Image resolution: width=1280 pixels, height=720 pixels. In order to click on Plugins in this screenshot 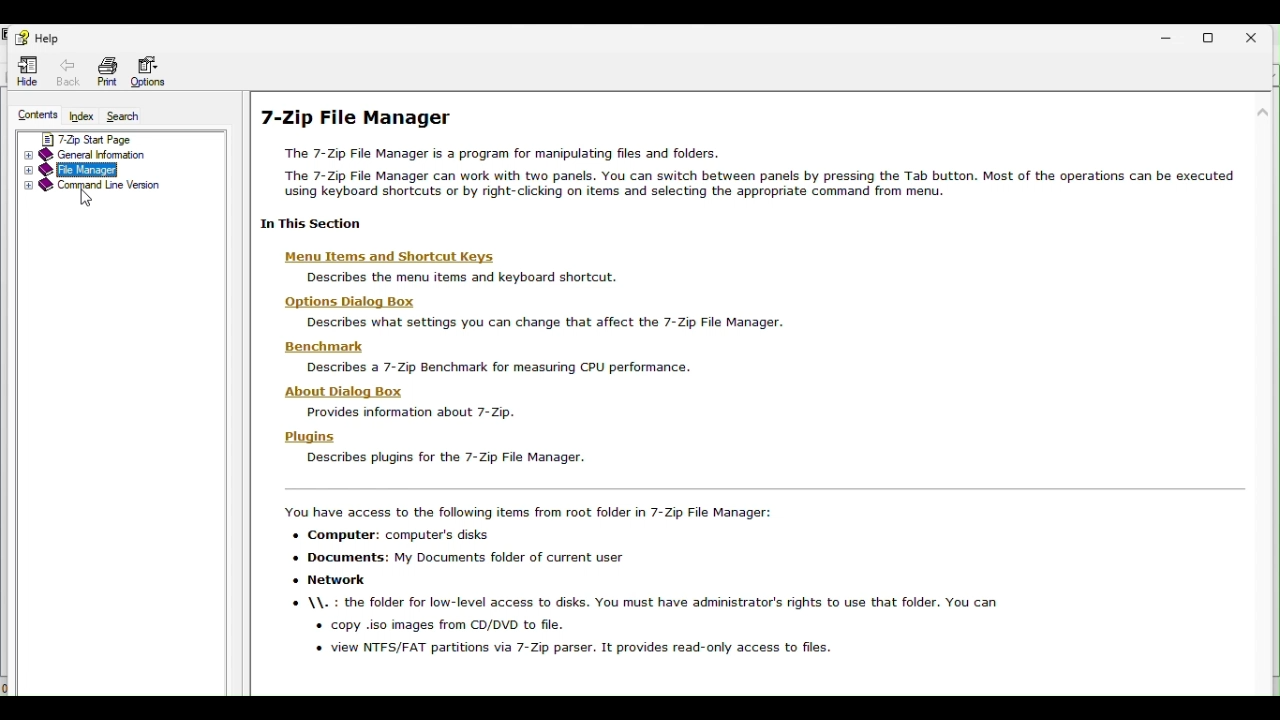, I will do `click(309, 436)`.